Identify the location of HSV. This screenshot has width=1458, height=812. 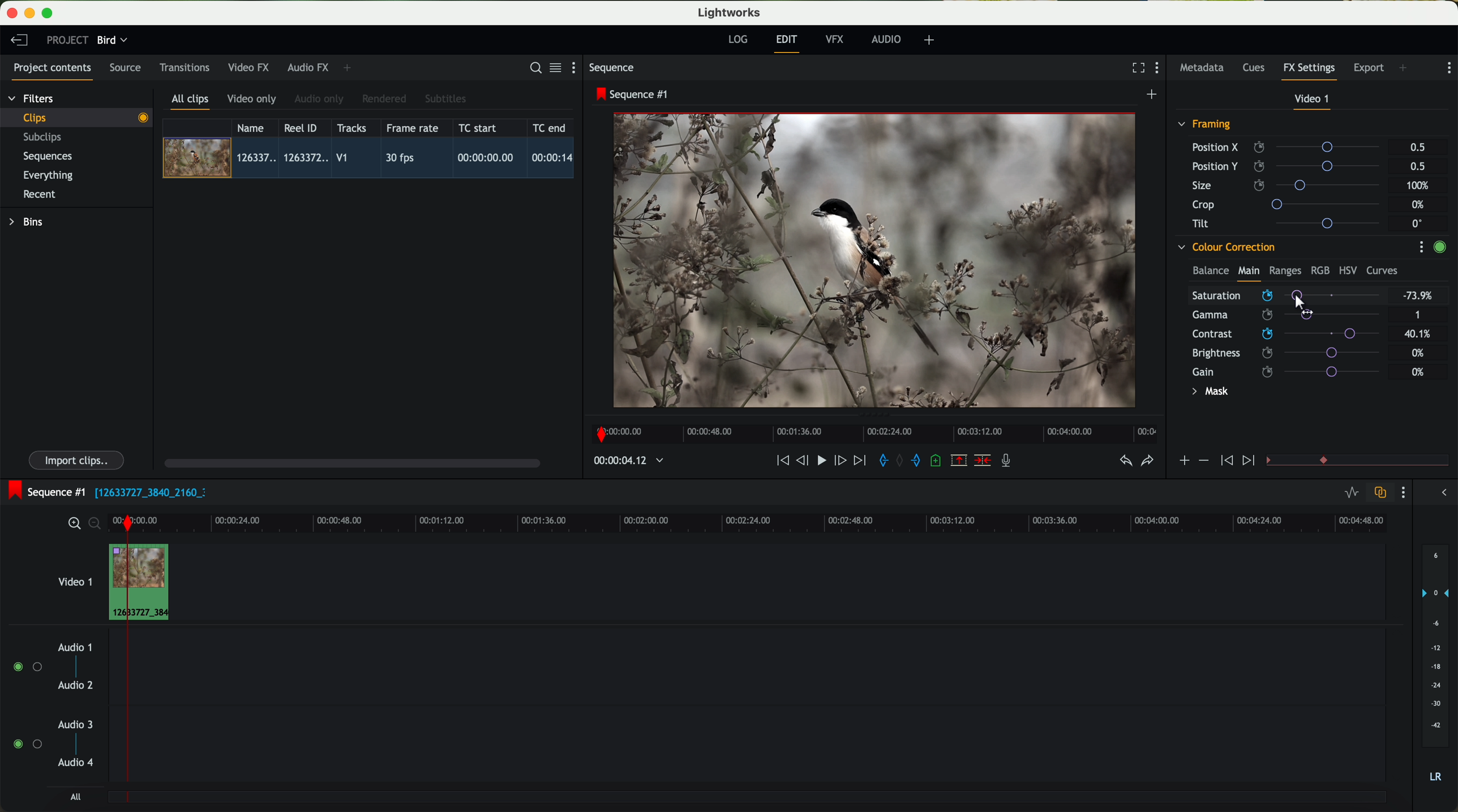
(1347, 270).